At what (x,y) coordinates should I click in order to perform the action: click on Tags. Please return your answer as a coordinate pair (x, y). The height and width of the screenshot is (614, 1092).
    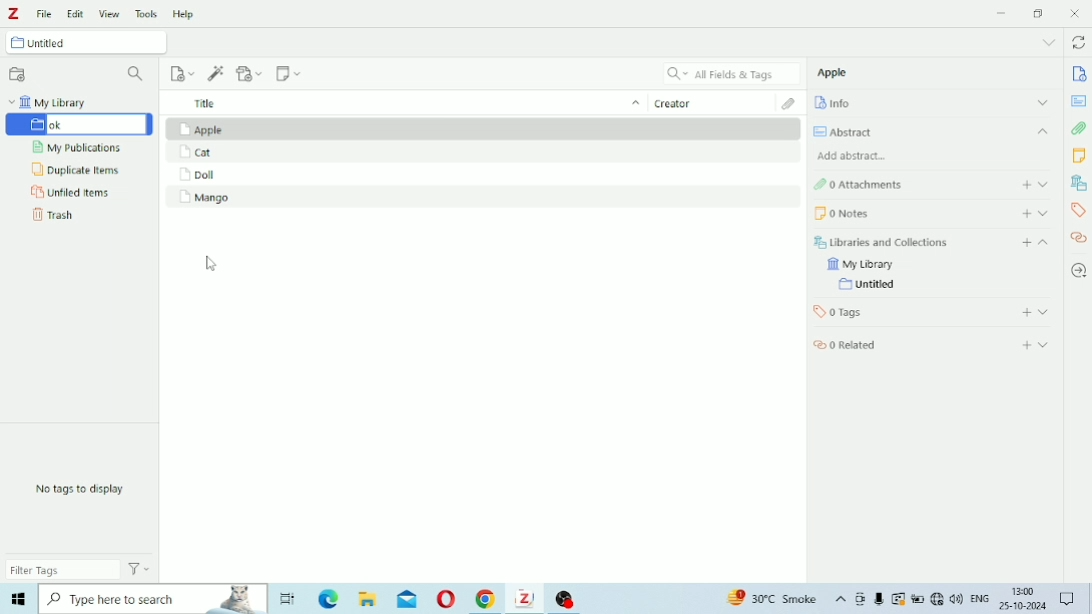
    Looking at the image, I should click on (1077, 209).